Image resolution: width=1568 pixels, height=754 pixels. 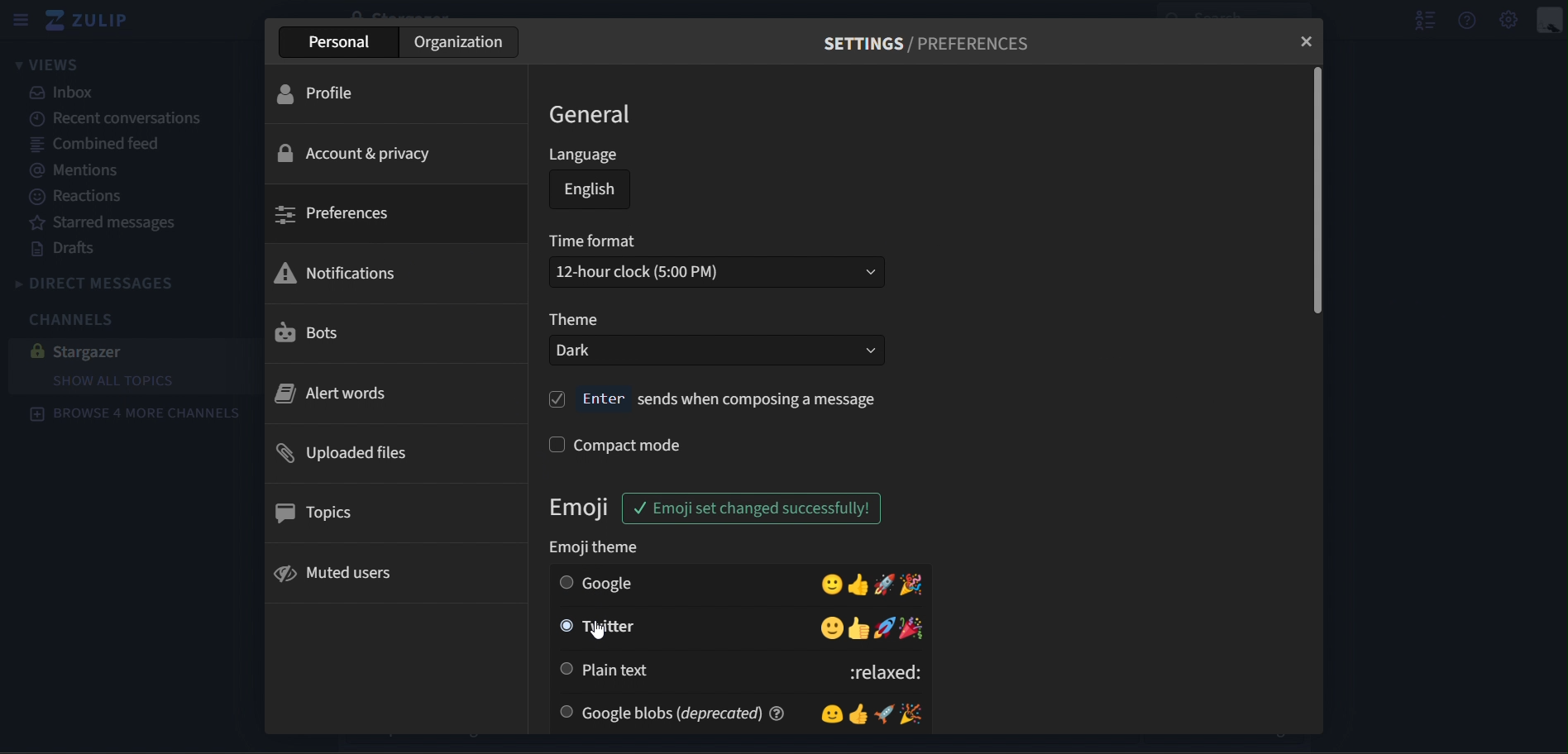 What do you see at coordinates (334, 214) in the screenshot?
I see `preferences` at bounding box center [334, 214].